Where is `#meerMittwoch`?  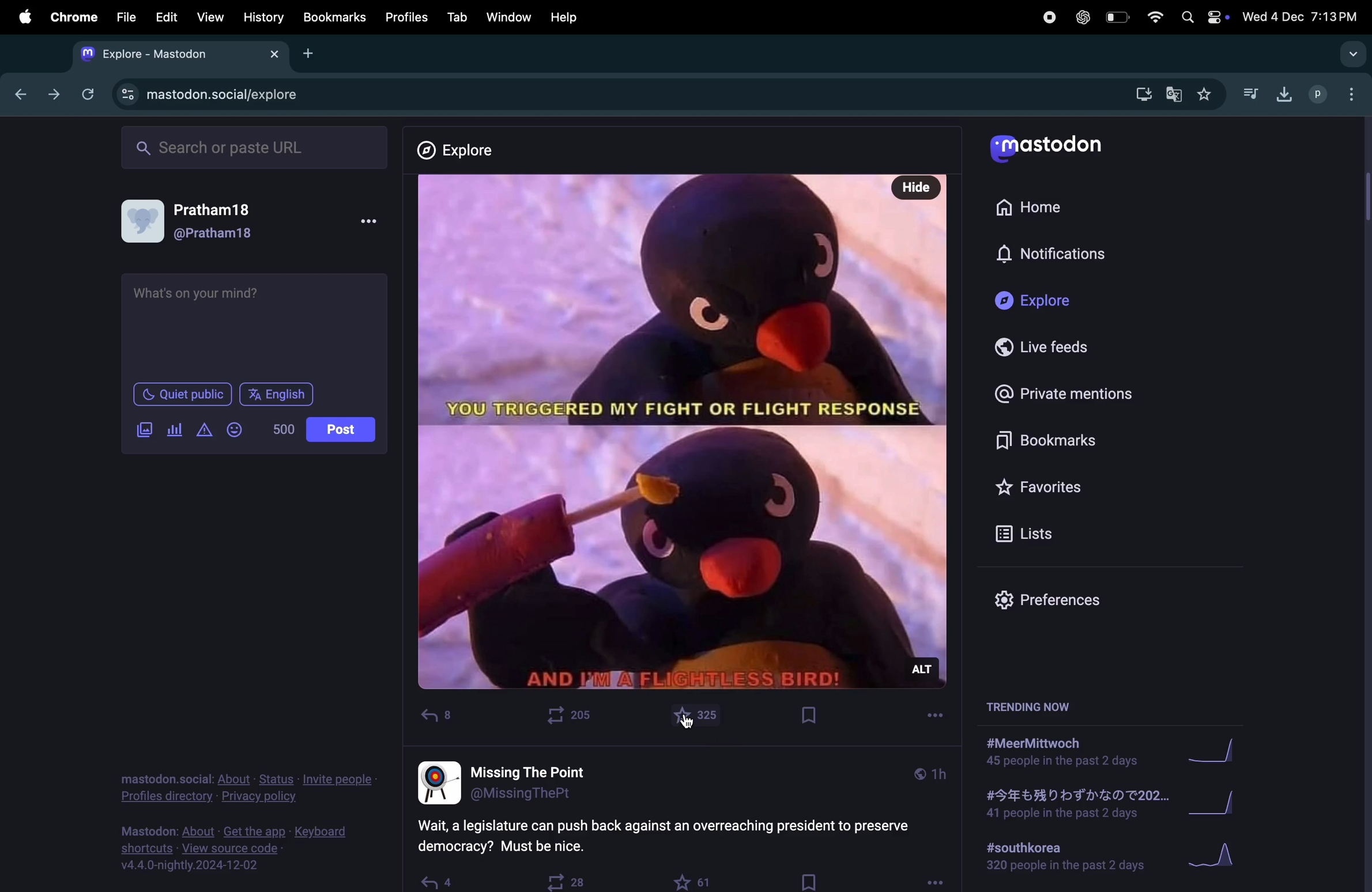 #meerMittwoch is located at coordinates (1066, 753).